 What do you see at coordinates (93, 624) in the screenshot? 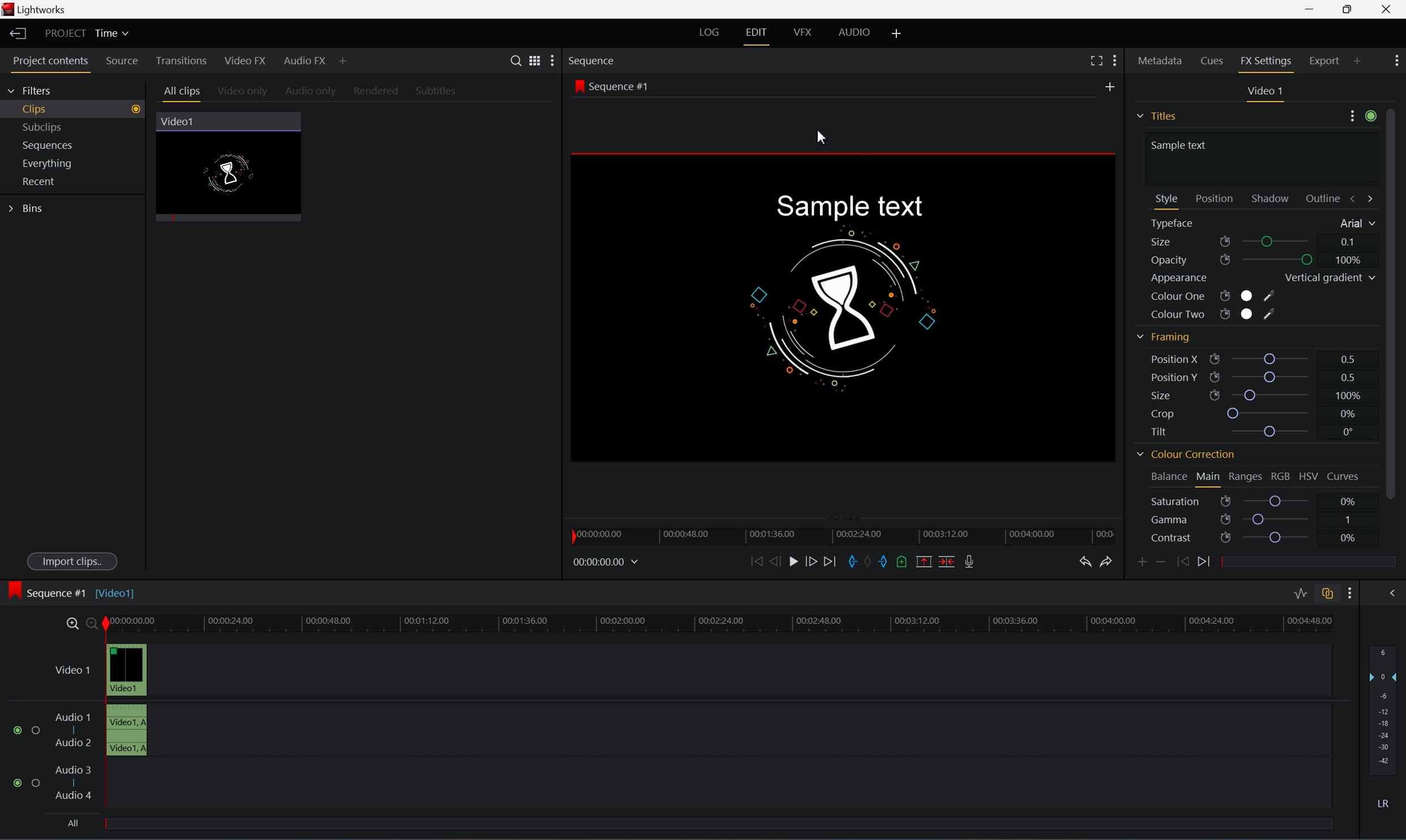
I see `zoom out` at bounding box center [93, 624].